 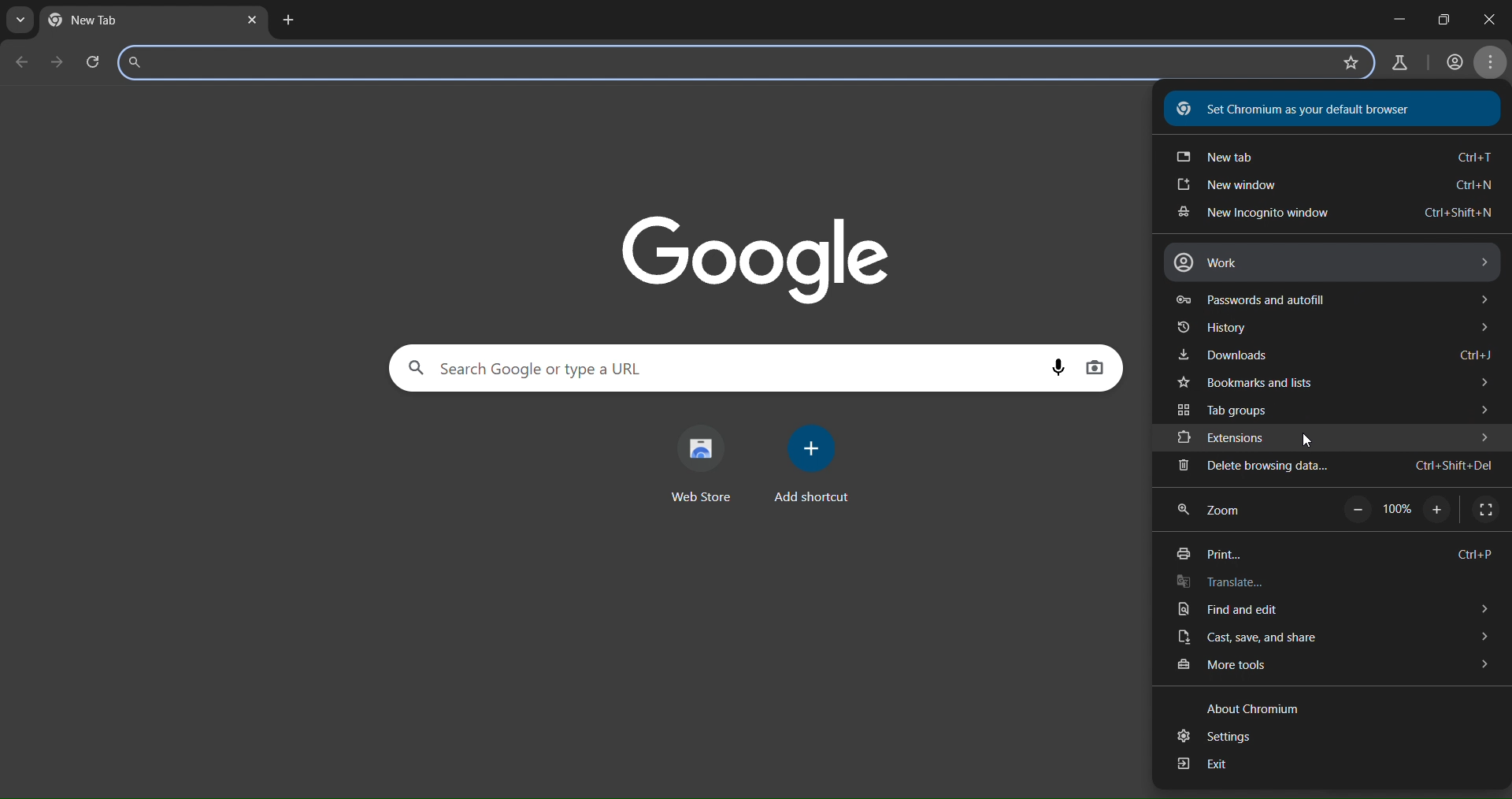 I want to click on search tabs, so click(x=20, y=17).